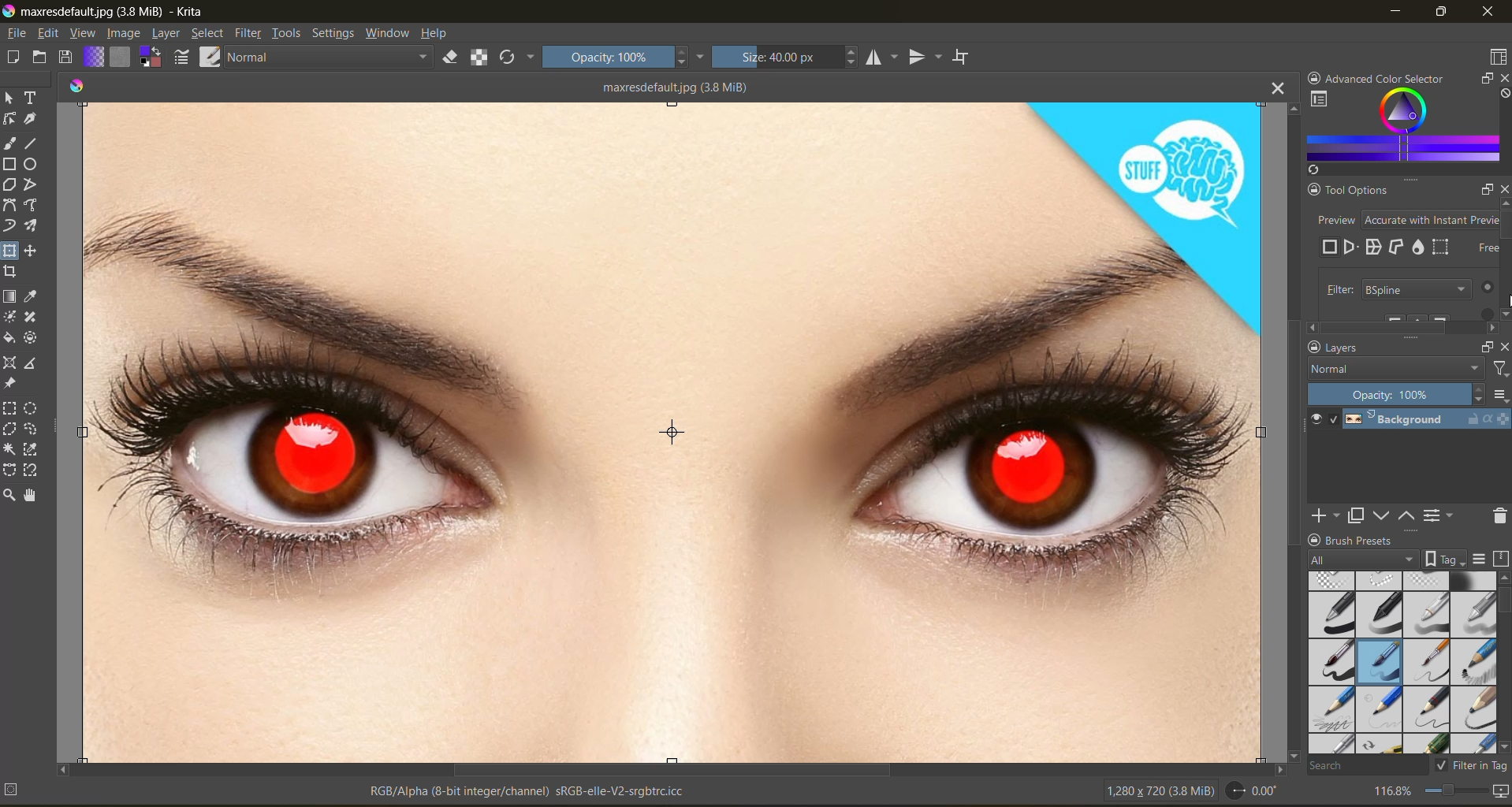  I want to click on edit brush settings, so click(185, 59).